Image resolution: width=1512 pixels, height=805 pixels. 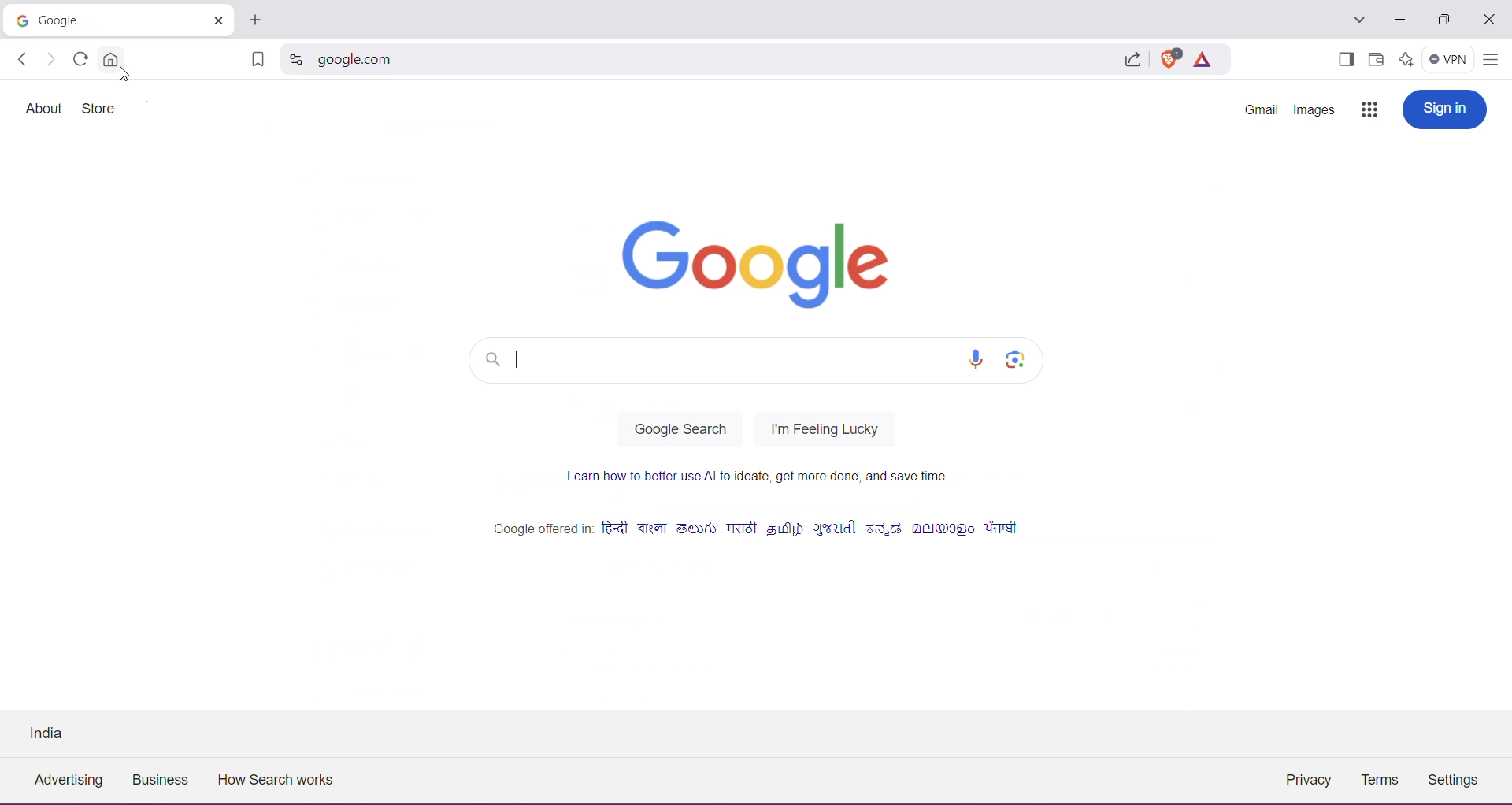 I want to click on Customize and control Brave, so click(x=1490, y=61).